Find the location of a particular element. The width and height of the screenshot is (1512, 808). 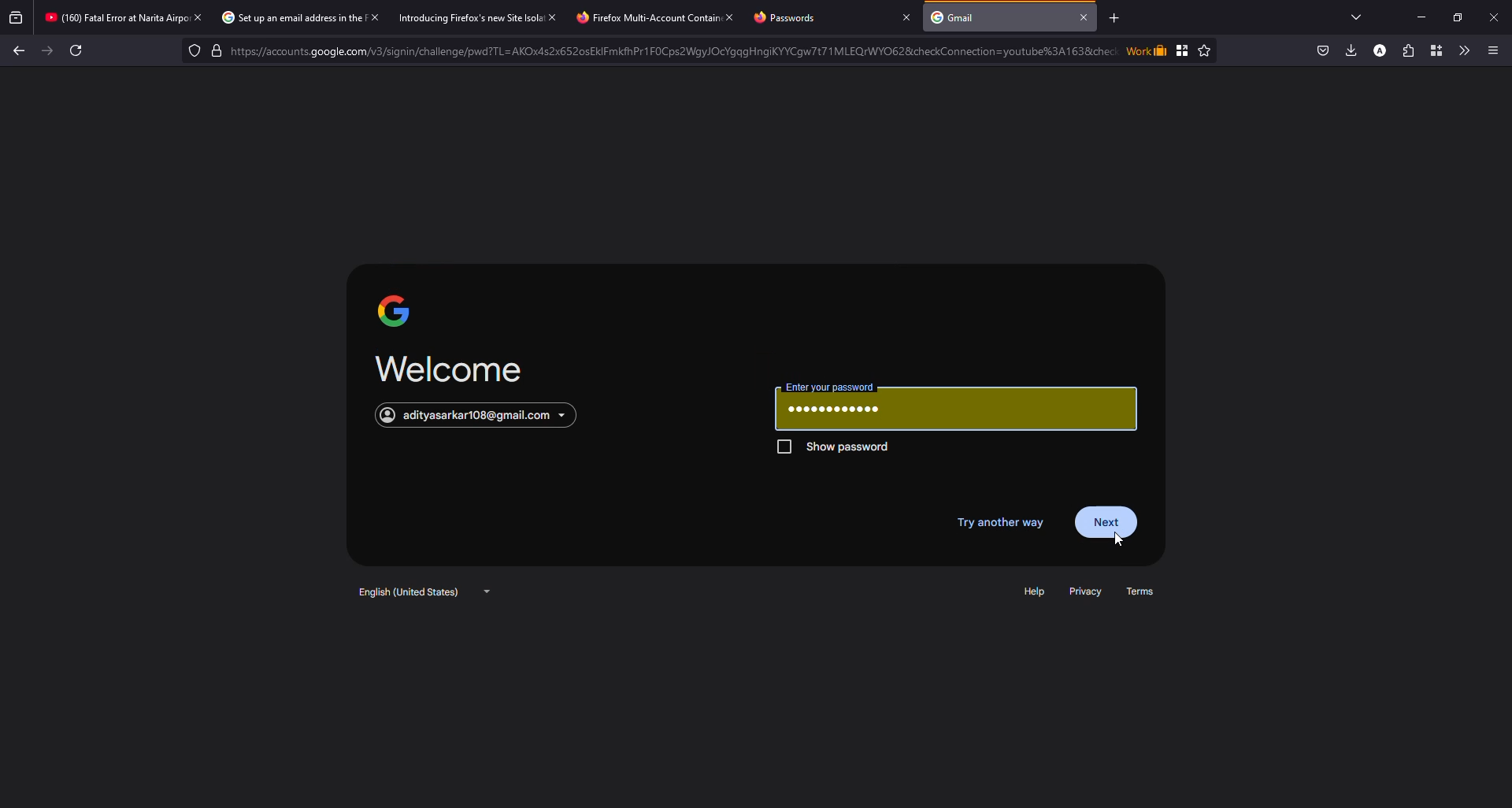

profile is located at coordinates (1378, 50).